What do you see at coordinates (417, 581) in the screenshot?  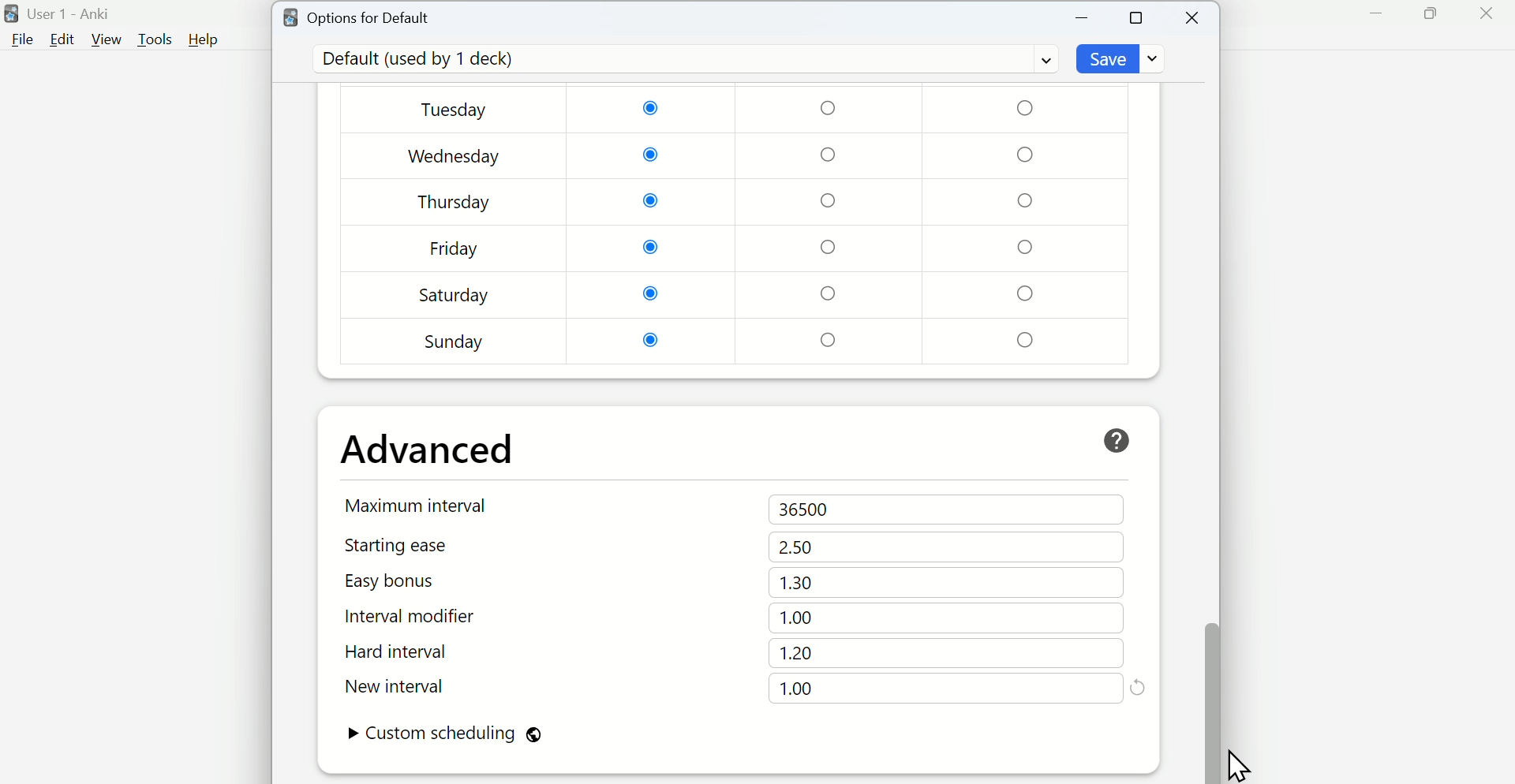 I see `Easy bonus` at bounding box center [417, 581].